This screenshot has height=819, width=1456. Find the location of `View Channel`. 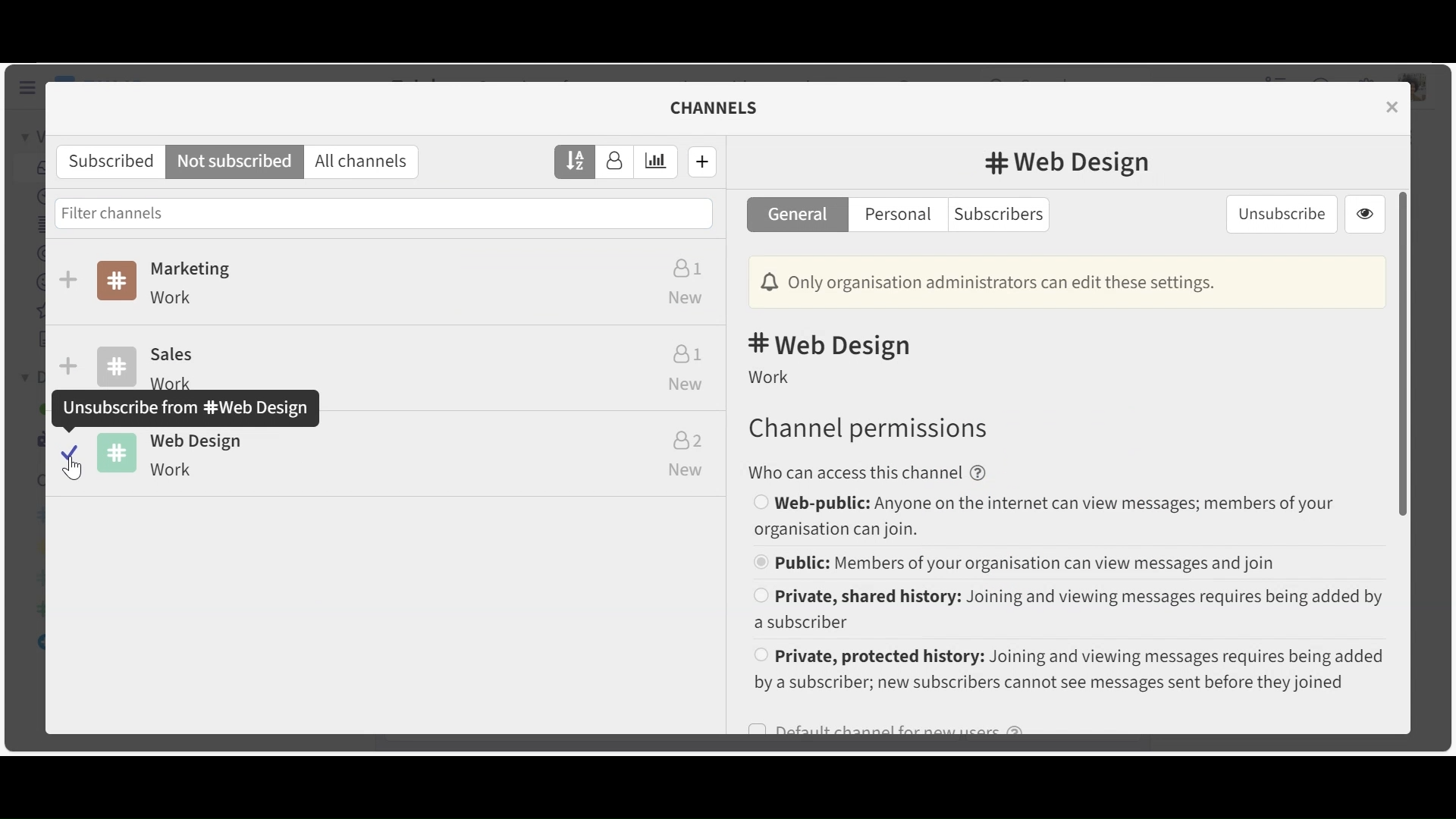

View Channel is located at coordinates (1364, 214).